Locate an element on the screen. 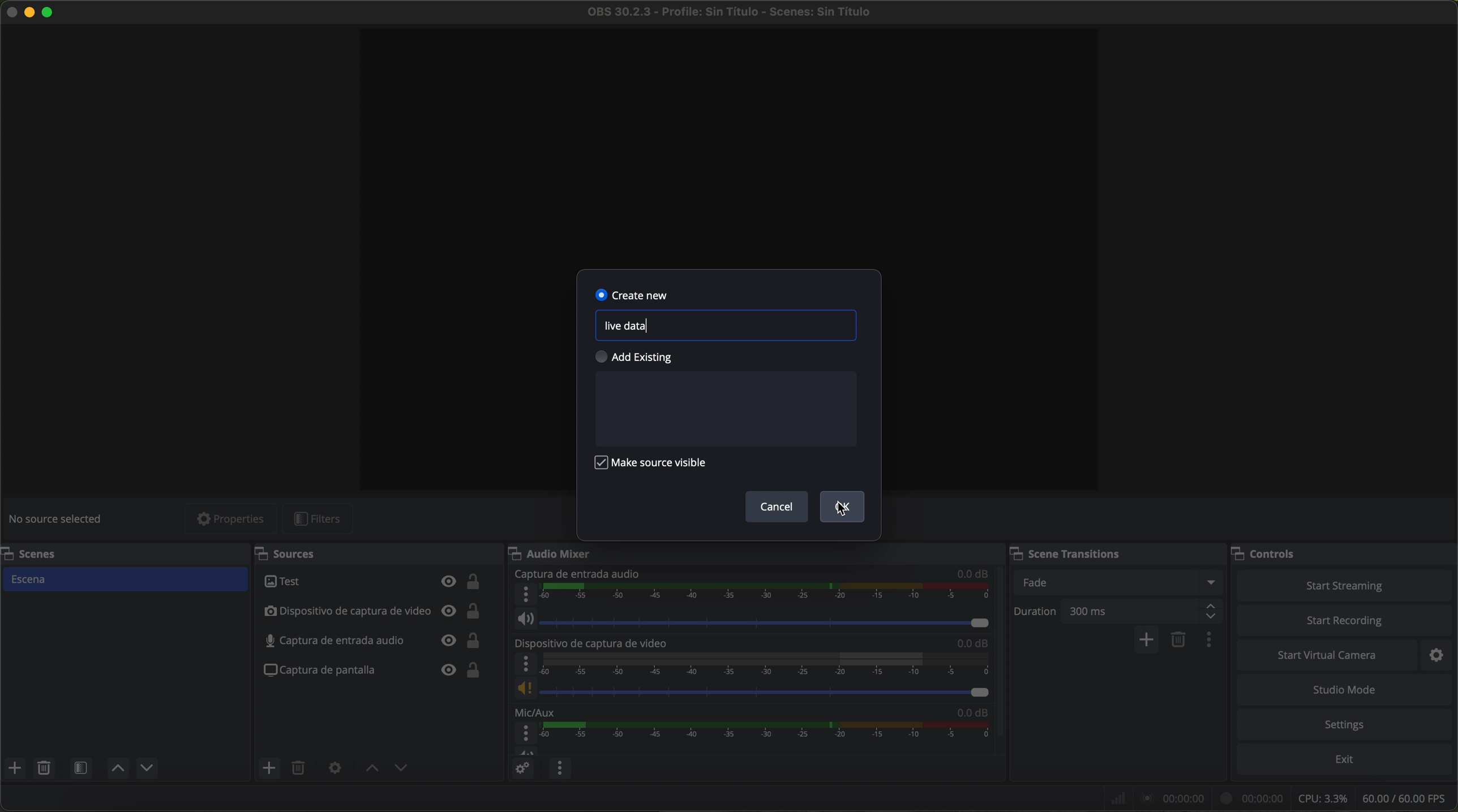 The image size is (1458, 812). more options is located at coordinates (524, 664).